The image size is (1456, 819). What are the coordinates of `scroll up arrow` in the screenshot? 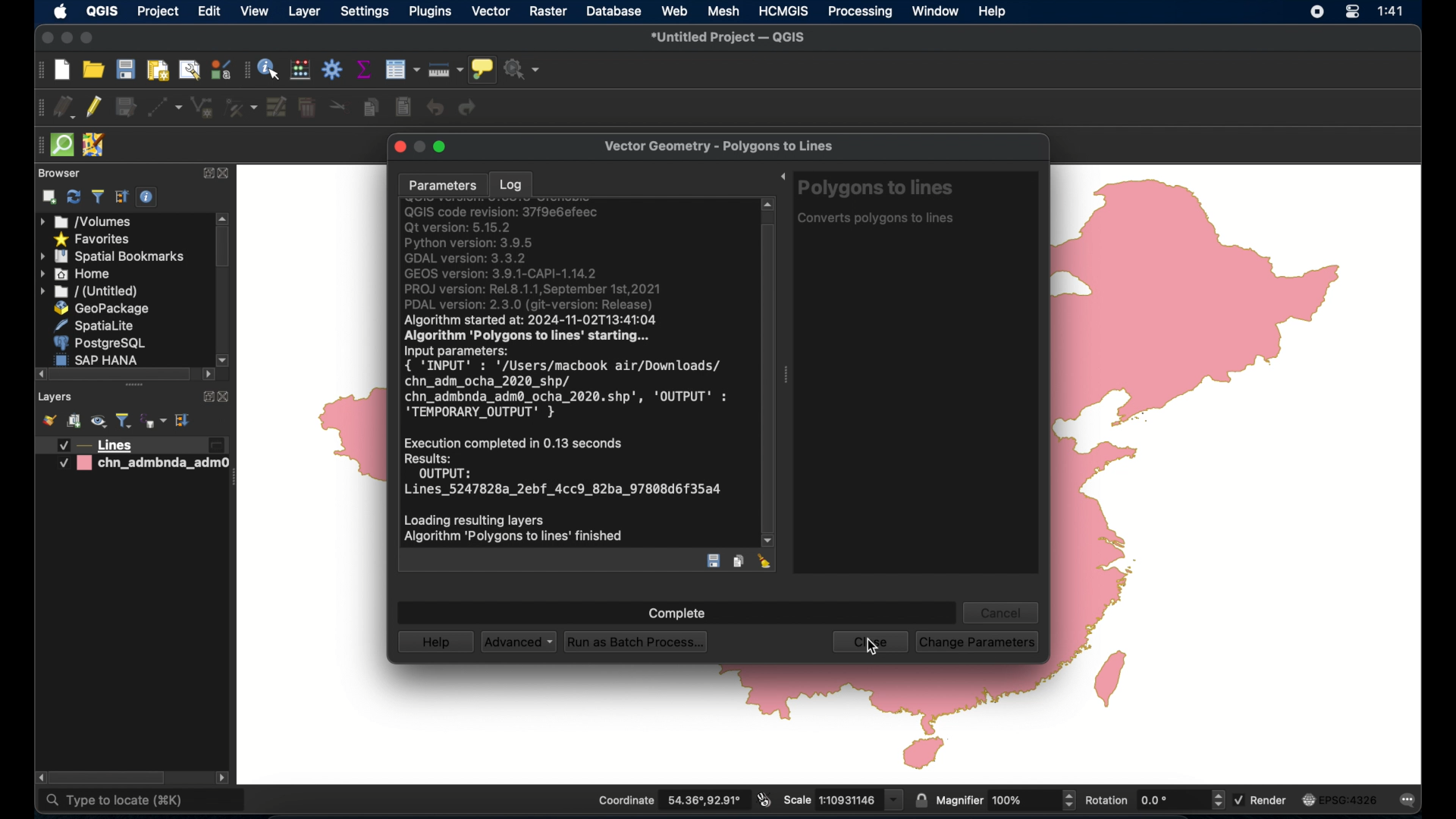 It's located at (223, 218).